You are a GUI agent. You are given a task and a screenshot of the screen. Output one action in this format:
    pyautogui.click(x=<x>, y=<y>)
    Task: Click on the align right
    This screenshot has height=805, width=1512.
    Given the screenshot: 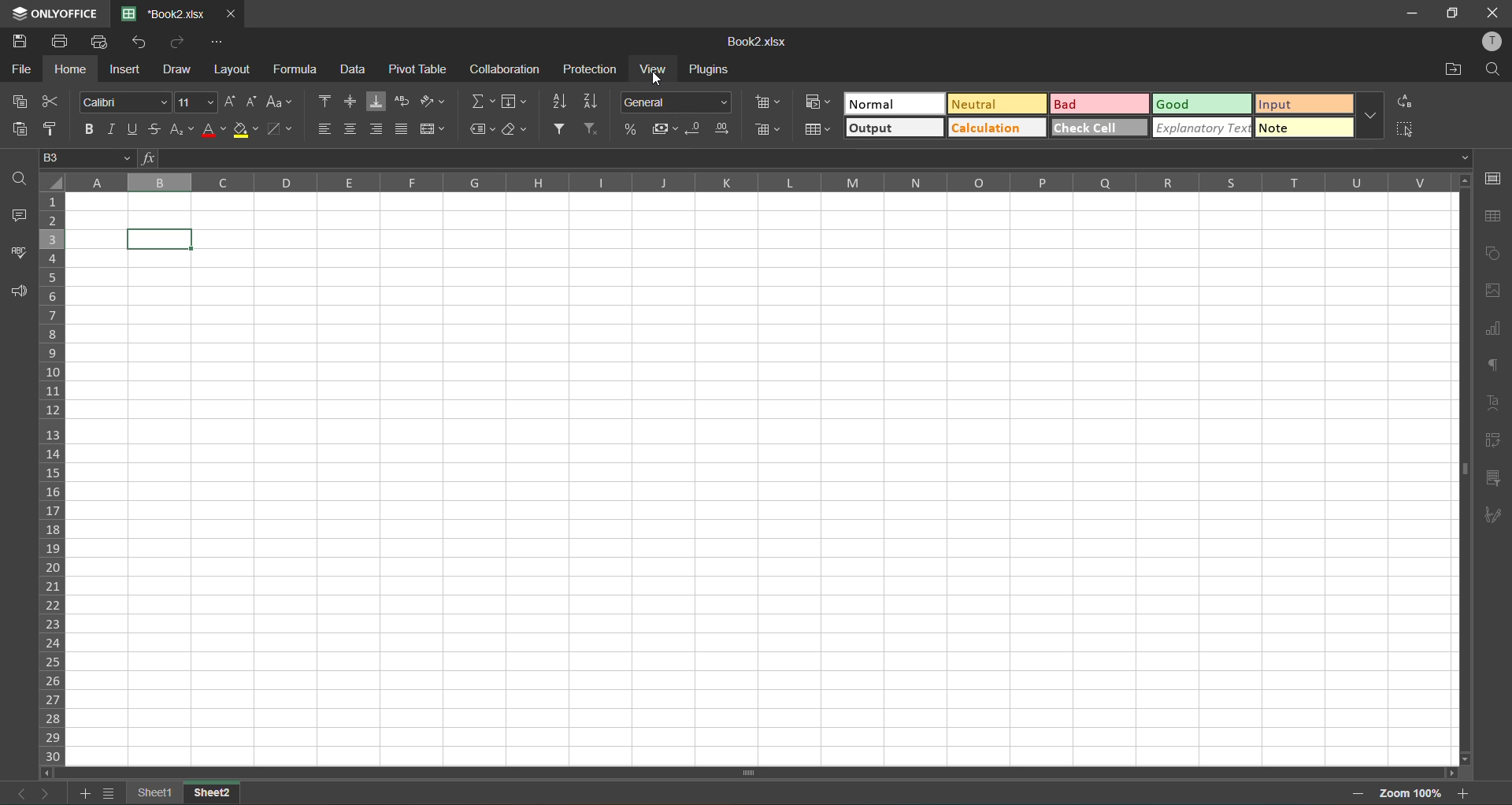 What is the action you would take?
    pyautogui.click(x=380, y=131)
    